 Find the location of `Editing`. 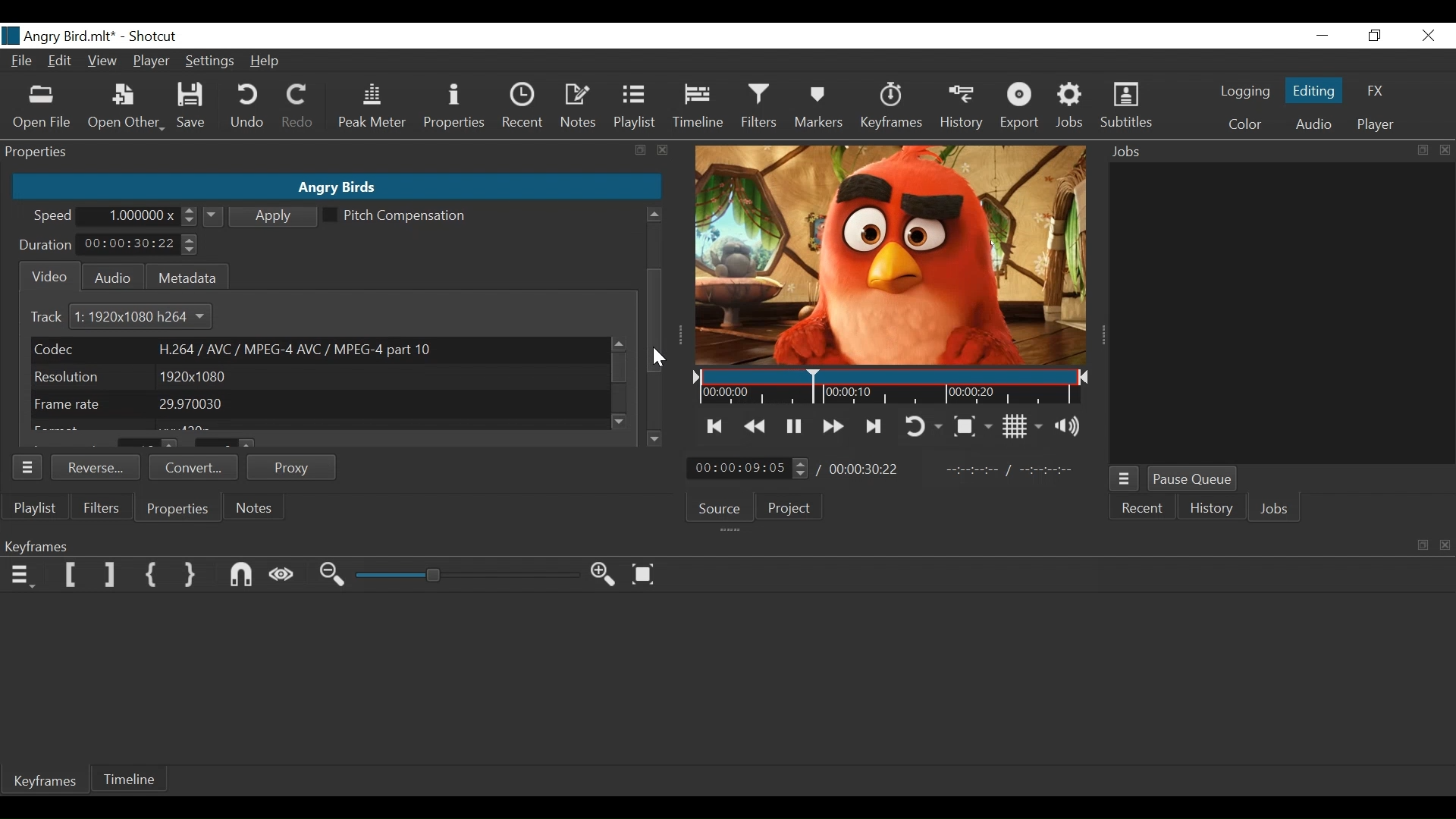

Editing is located at coordinates (1311, 90).